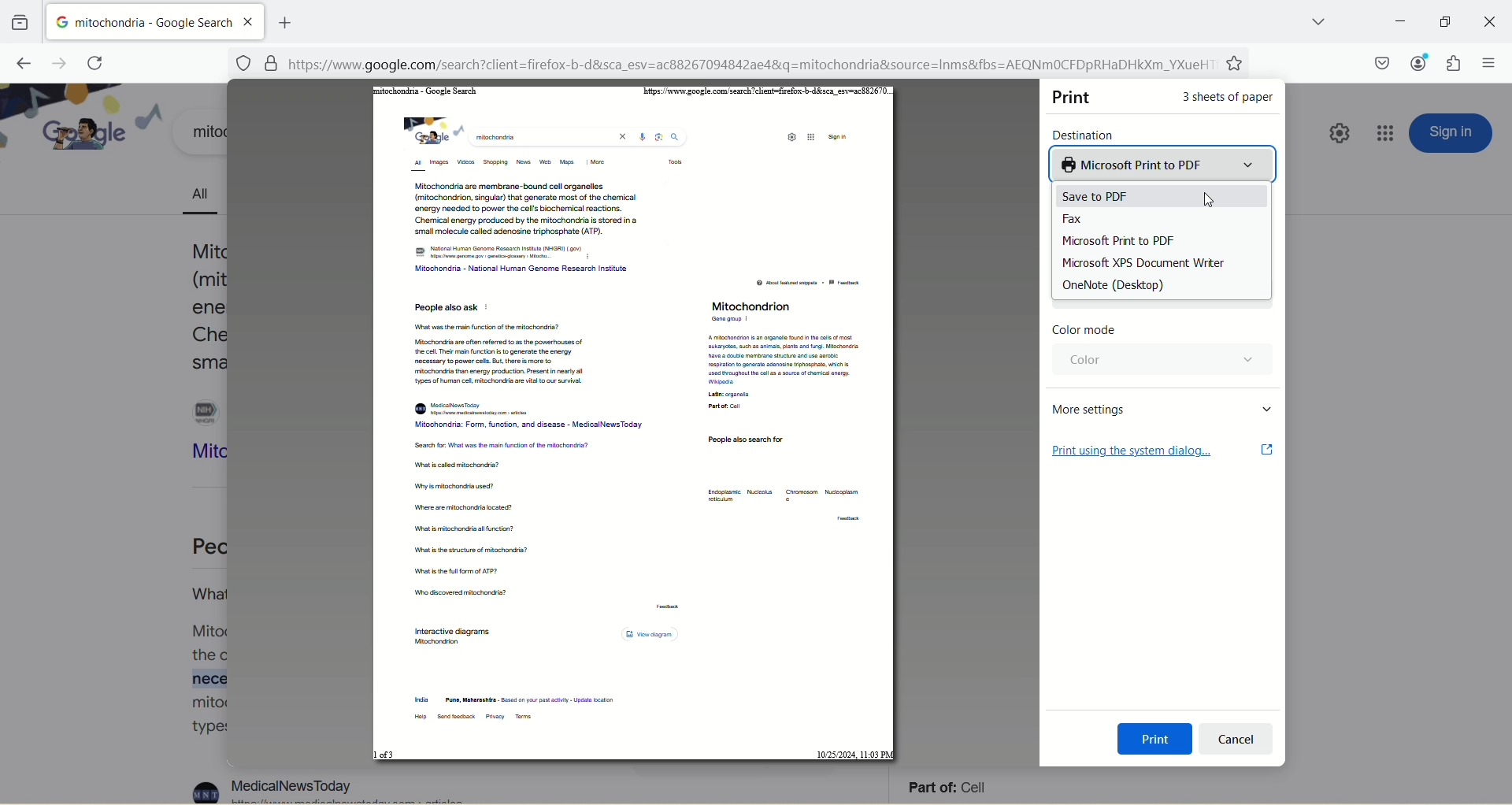 Image resolution: width=1512 pixels, height=805 pixels. I want to click on google apps, so click(1387, 133).